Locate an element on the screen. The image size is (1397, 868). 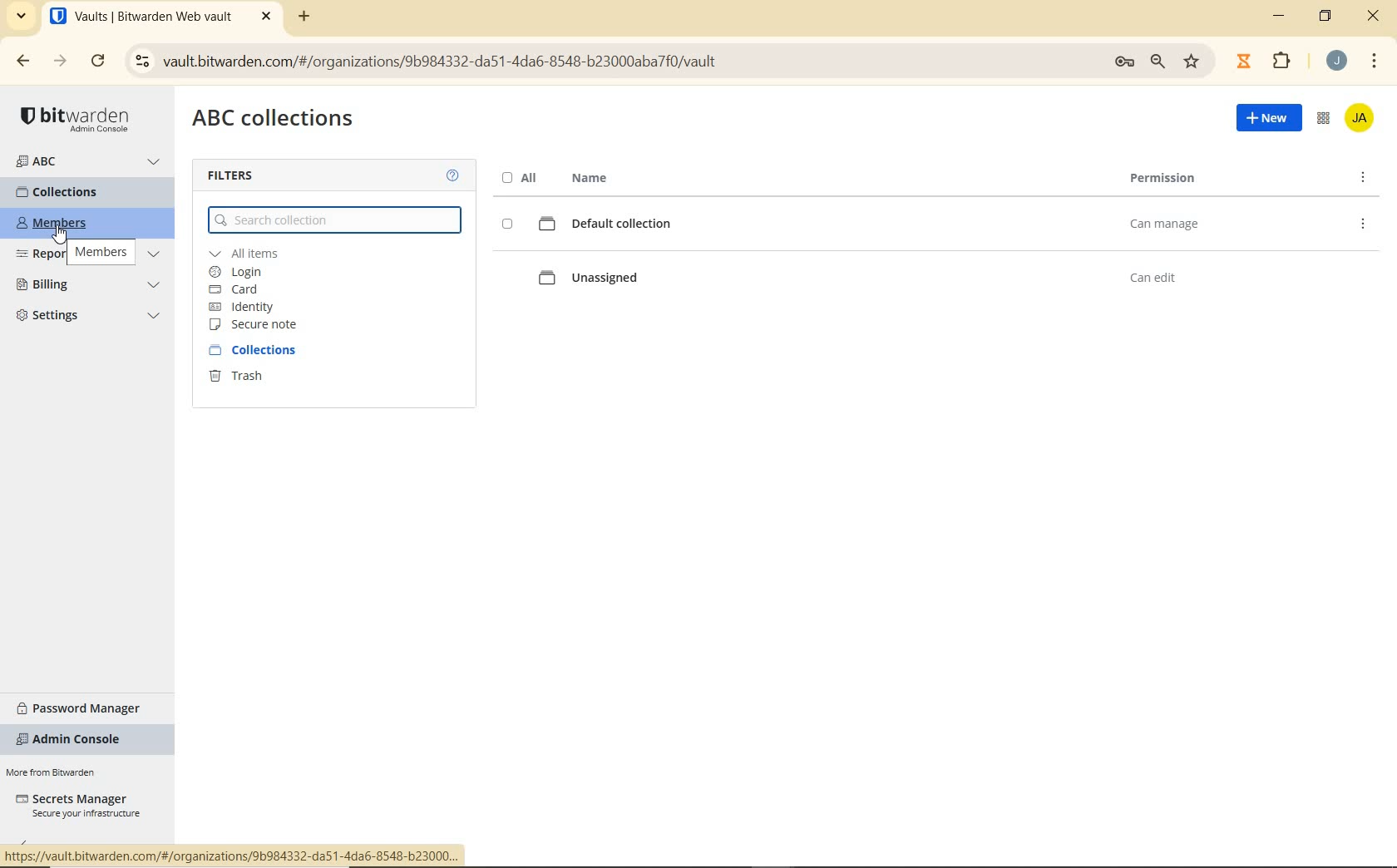
ACCOUNT NAME is located at coordinates (1339, 61).